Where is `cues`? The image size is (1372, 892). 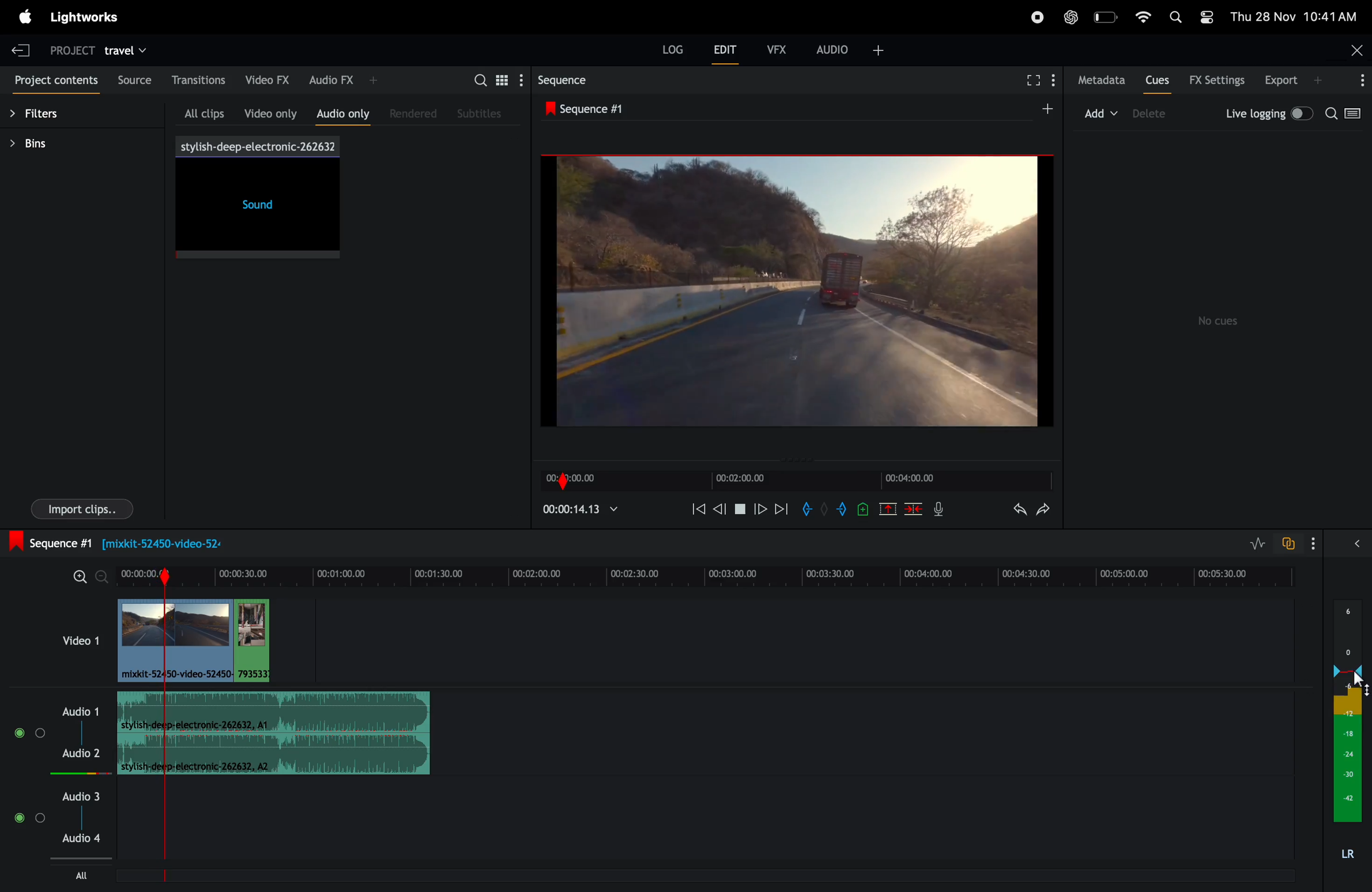
cues is located at coordinates (1156, 80).